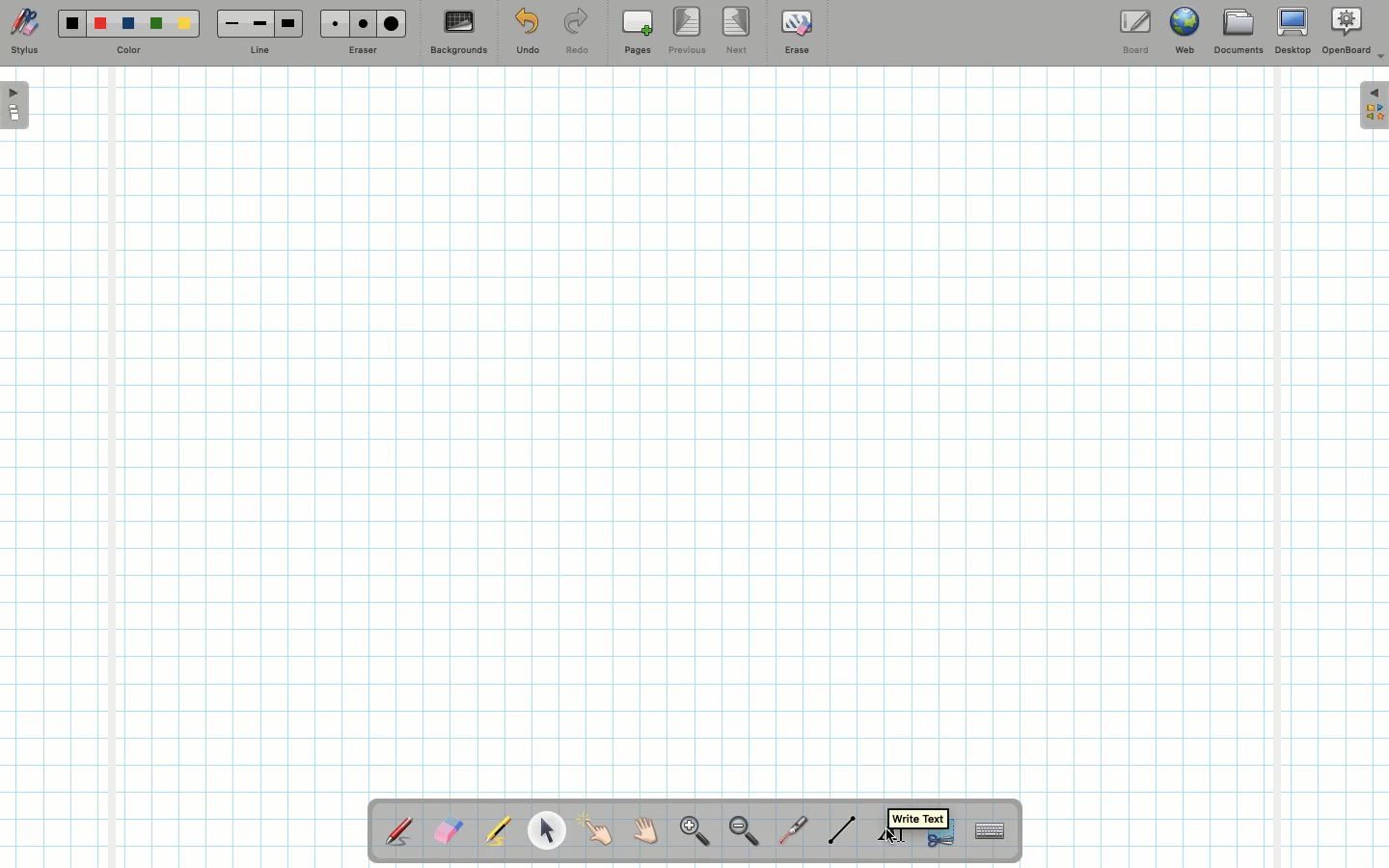  I want to click on Zoom in, so click(690, 833).